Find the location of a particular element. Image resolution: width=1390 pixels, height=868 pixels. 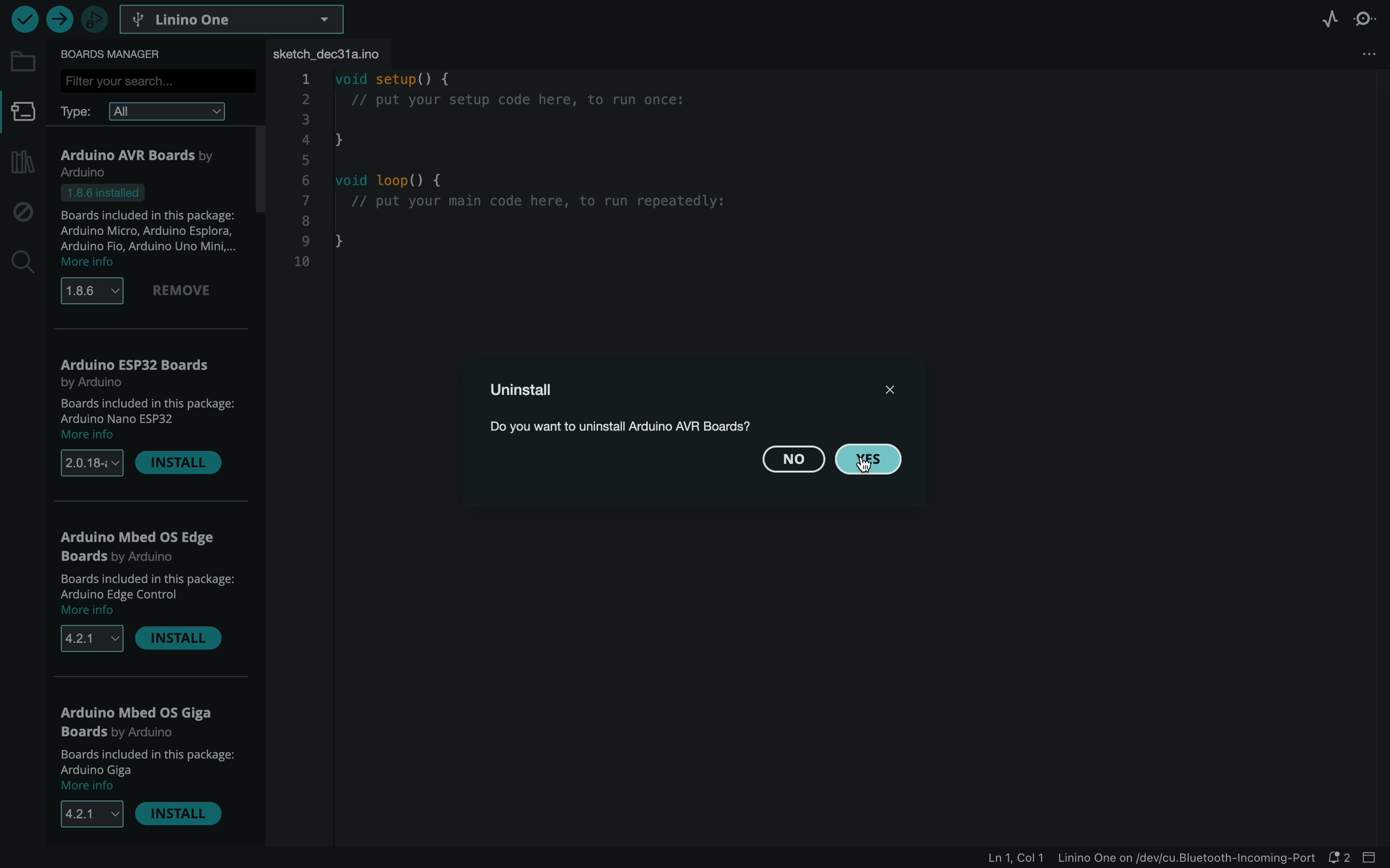

versions is located at coordinates (93, 290).